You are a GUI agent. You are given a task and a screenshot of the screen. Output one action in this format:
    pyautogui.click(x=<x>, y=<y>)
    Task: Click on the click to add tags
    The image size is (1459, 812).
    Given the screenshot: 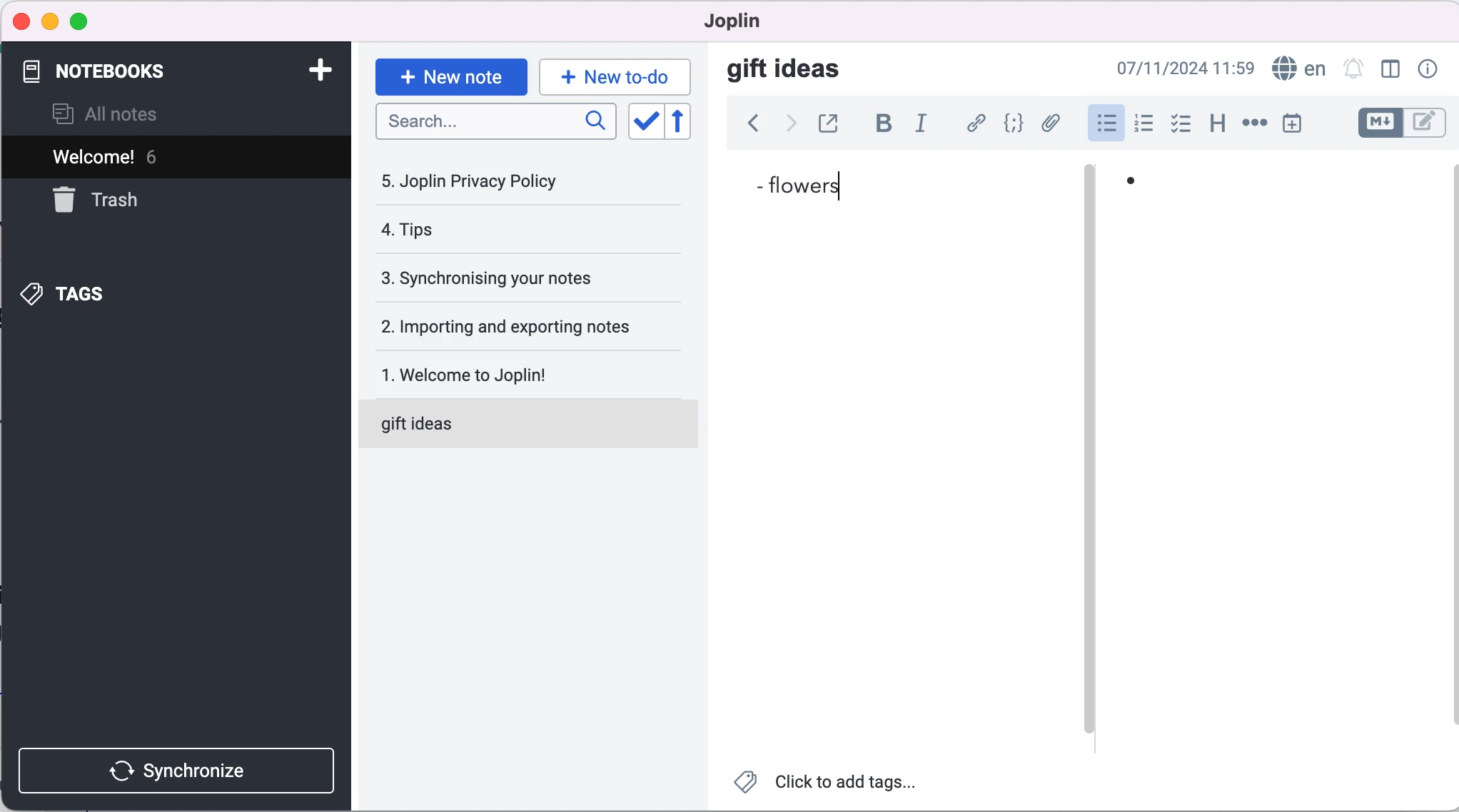 What is the action you would take?
    pyautogui.click(x=835, y=783)
    